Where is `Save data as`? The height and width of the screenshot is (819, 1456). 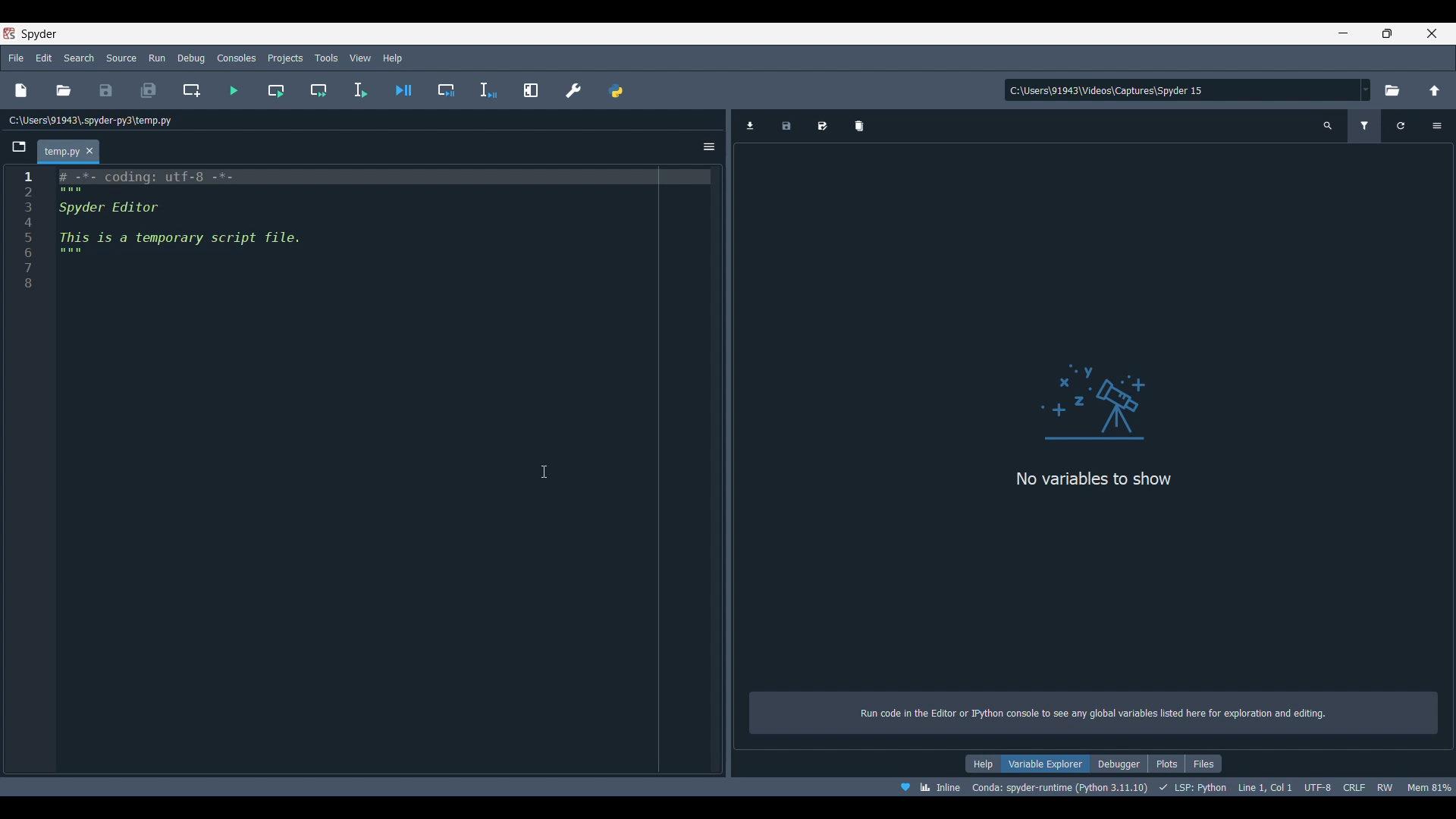
Save data as is located at coordinates (822, 126).